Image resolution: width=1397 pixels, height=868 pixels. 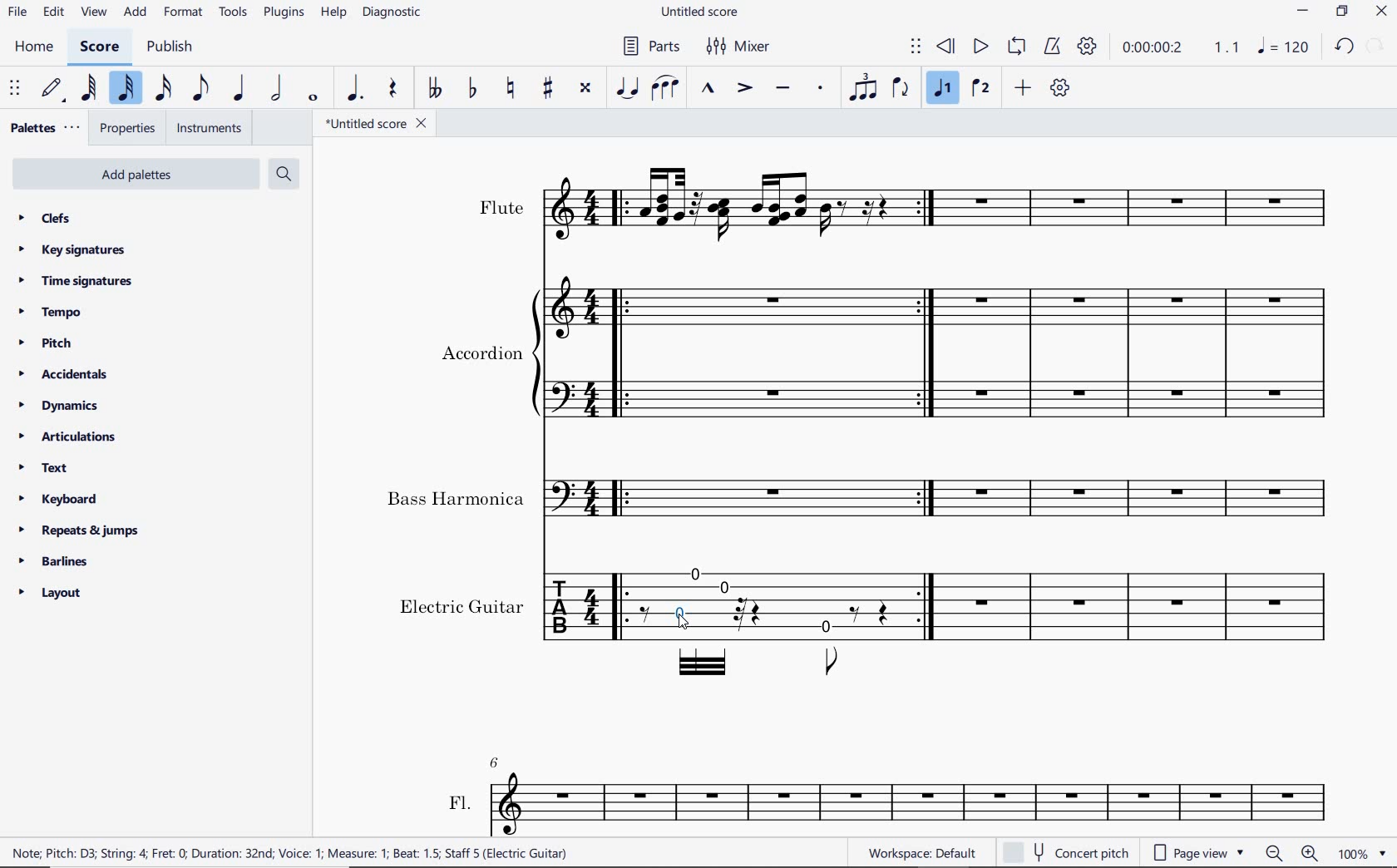 I want to click on palettes, so click(x=43, y=131).